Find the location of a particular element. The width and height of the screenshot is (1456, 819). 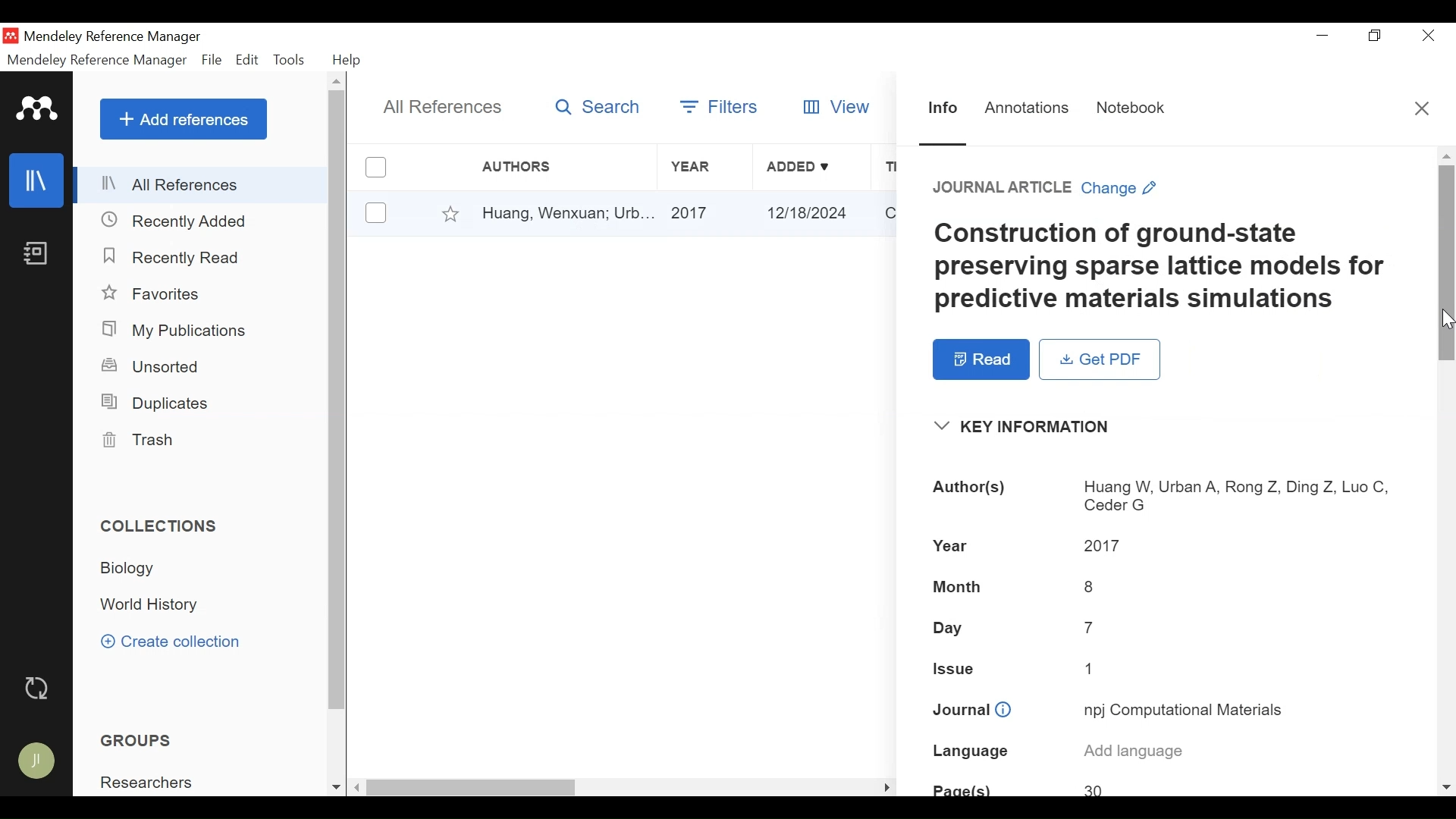

Huang W, Urban A, Rong Z, Ding Z, Luo C, Ceder G is located at coordinates (1238, 495).